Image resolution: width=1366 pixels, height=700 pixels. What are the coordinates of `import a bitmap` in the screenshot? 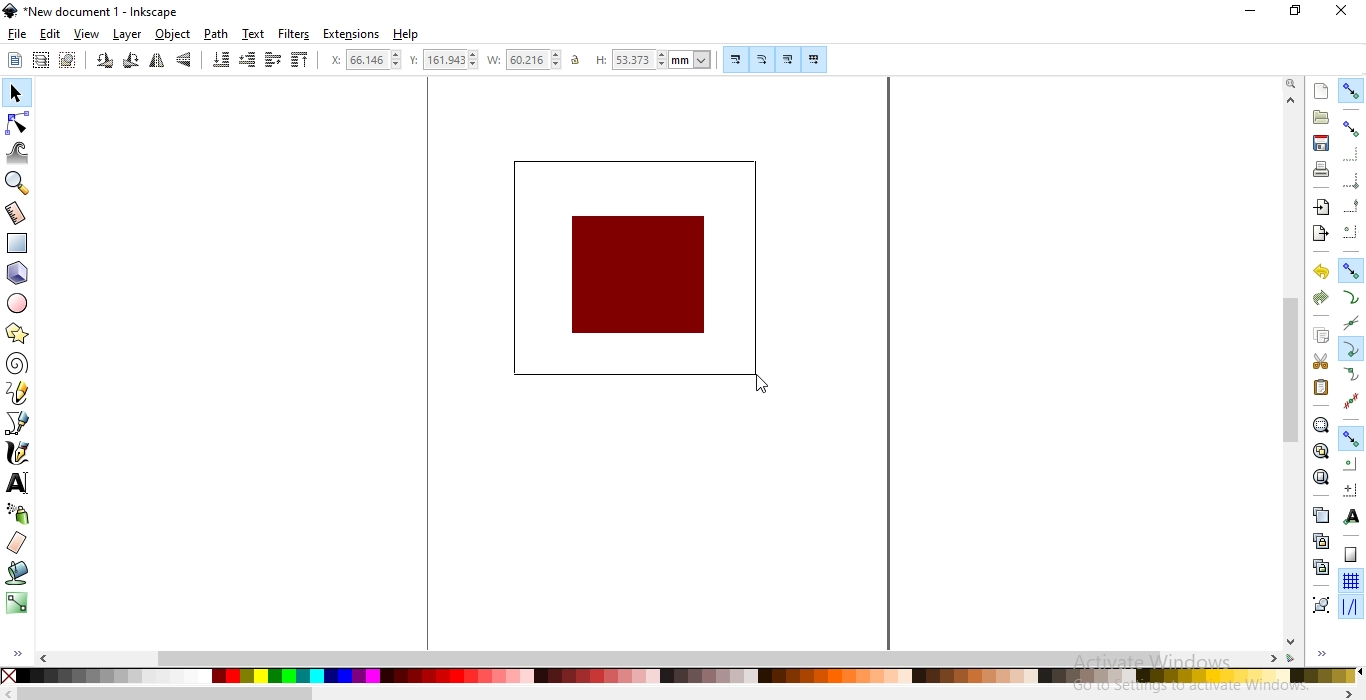 It's located at (1321, 207).